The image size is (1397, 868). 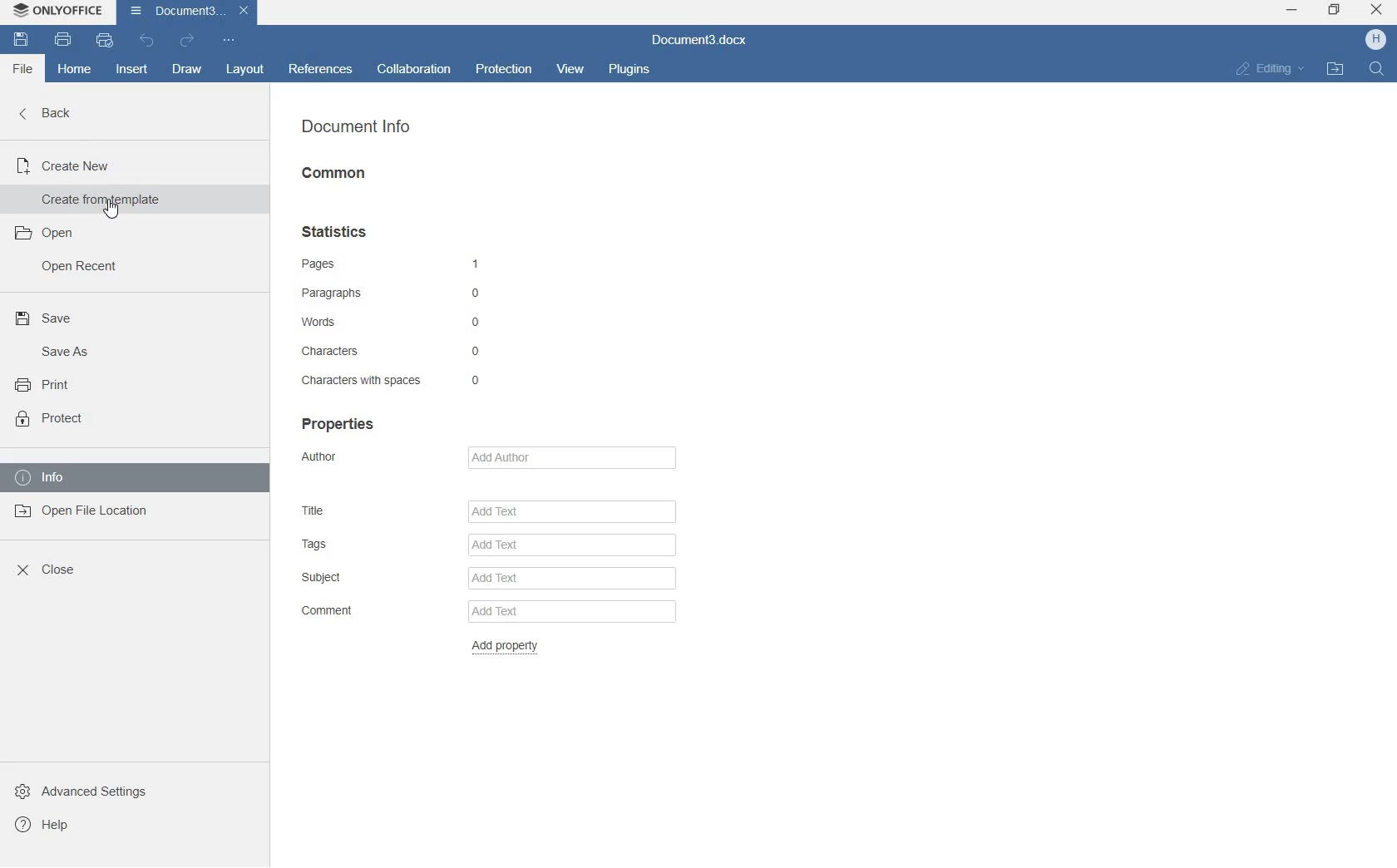 I want to click on print, so click(x=62, y=40).